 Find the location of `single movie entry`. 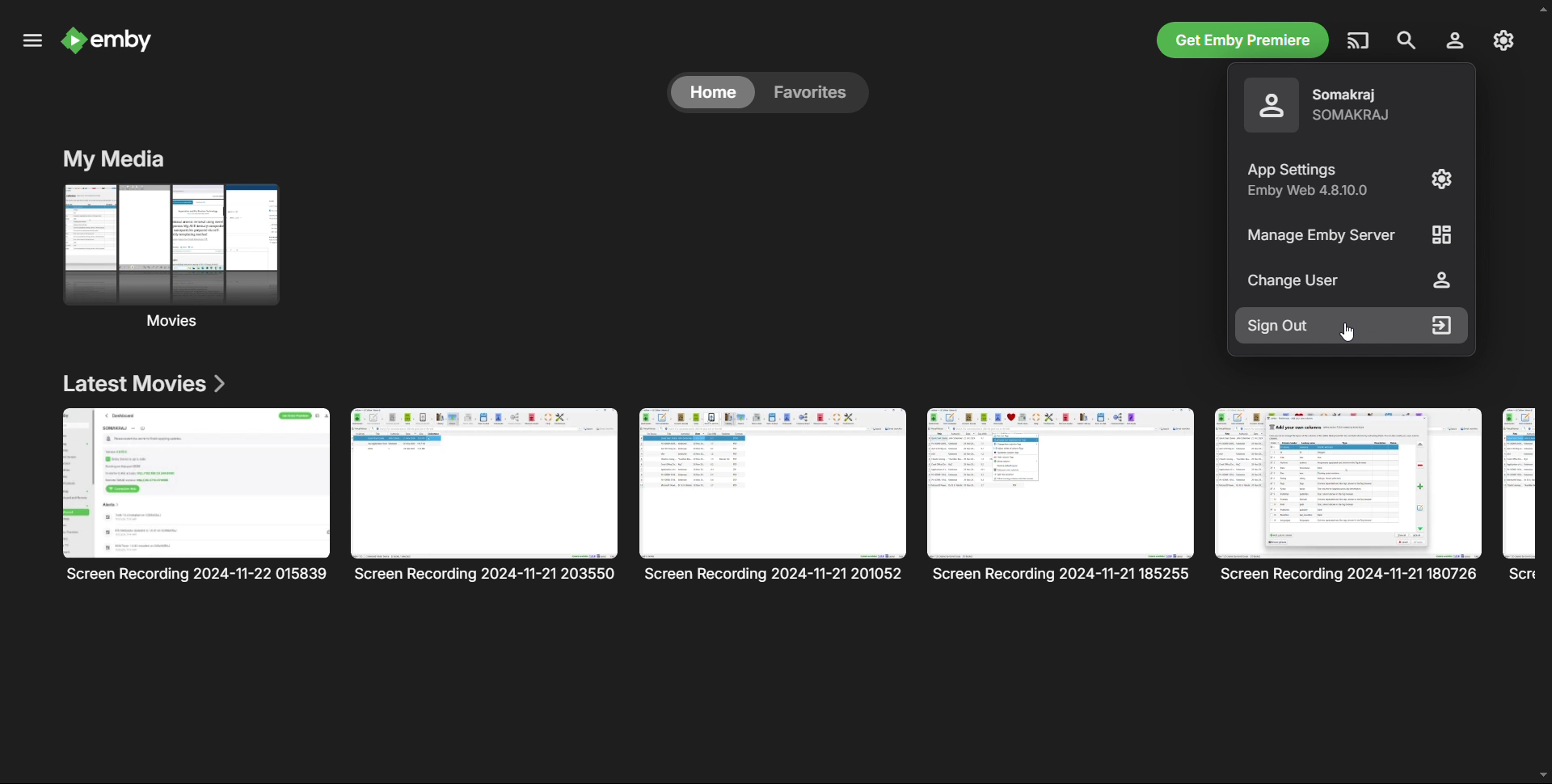

single movie entry is located at coordinates (196, 495).